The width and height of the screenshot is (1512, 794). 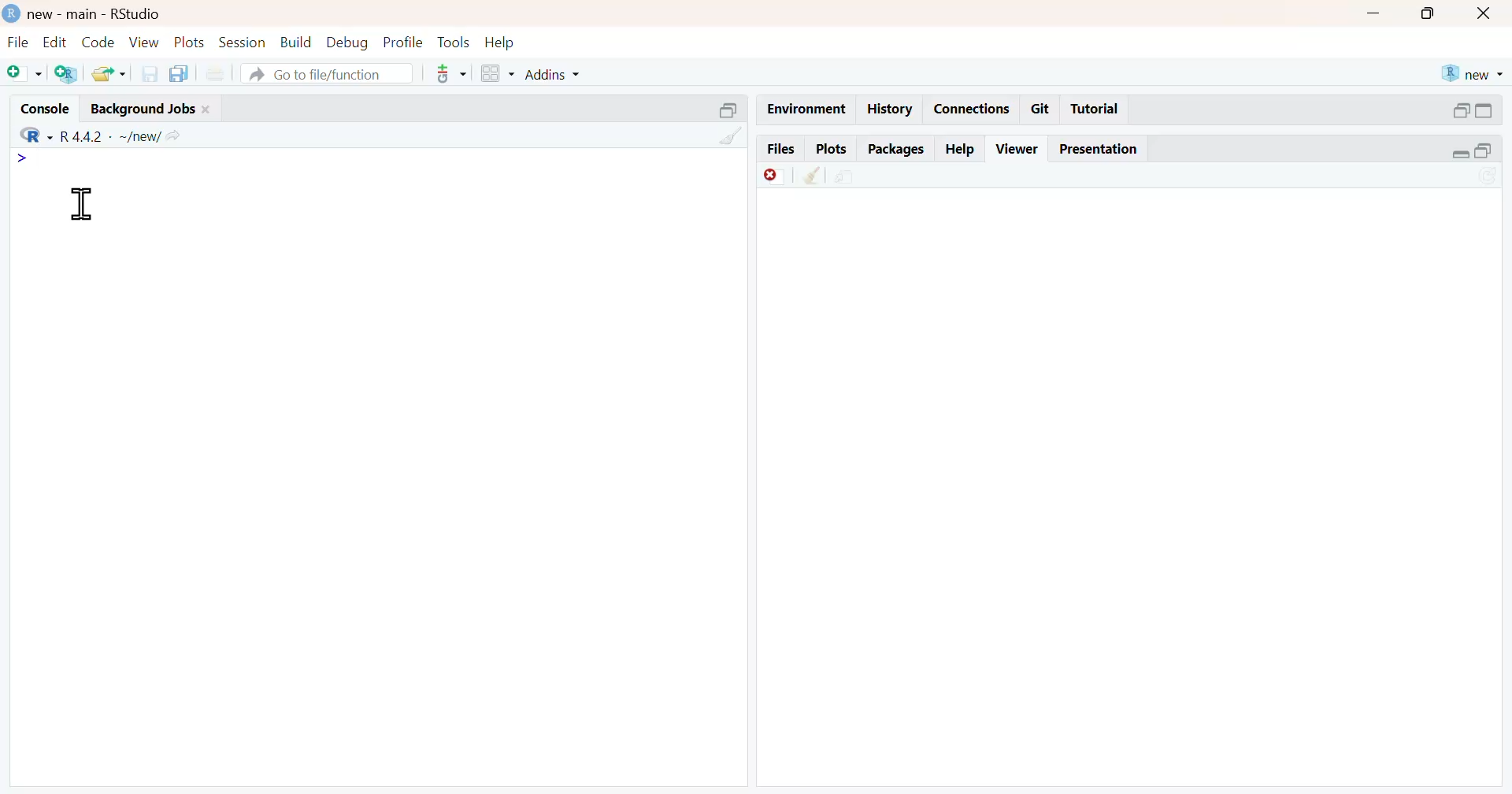 What do you see at coordinates (1103, 150) in the screenshot?
I see `presentation` at bounding box center [1103, 150].